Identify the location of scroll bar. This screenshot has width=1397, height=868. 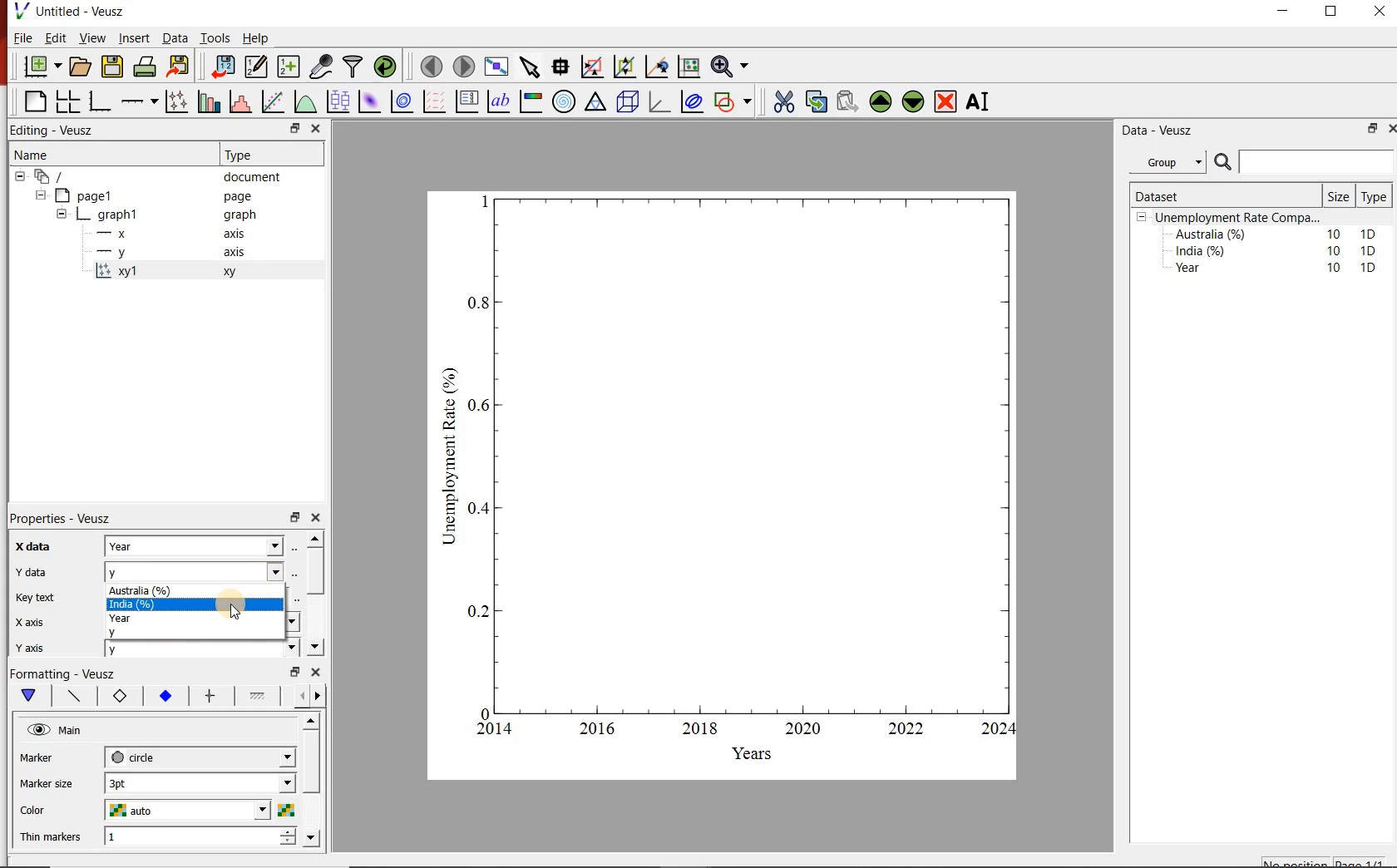
(312, 776).